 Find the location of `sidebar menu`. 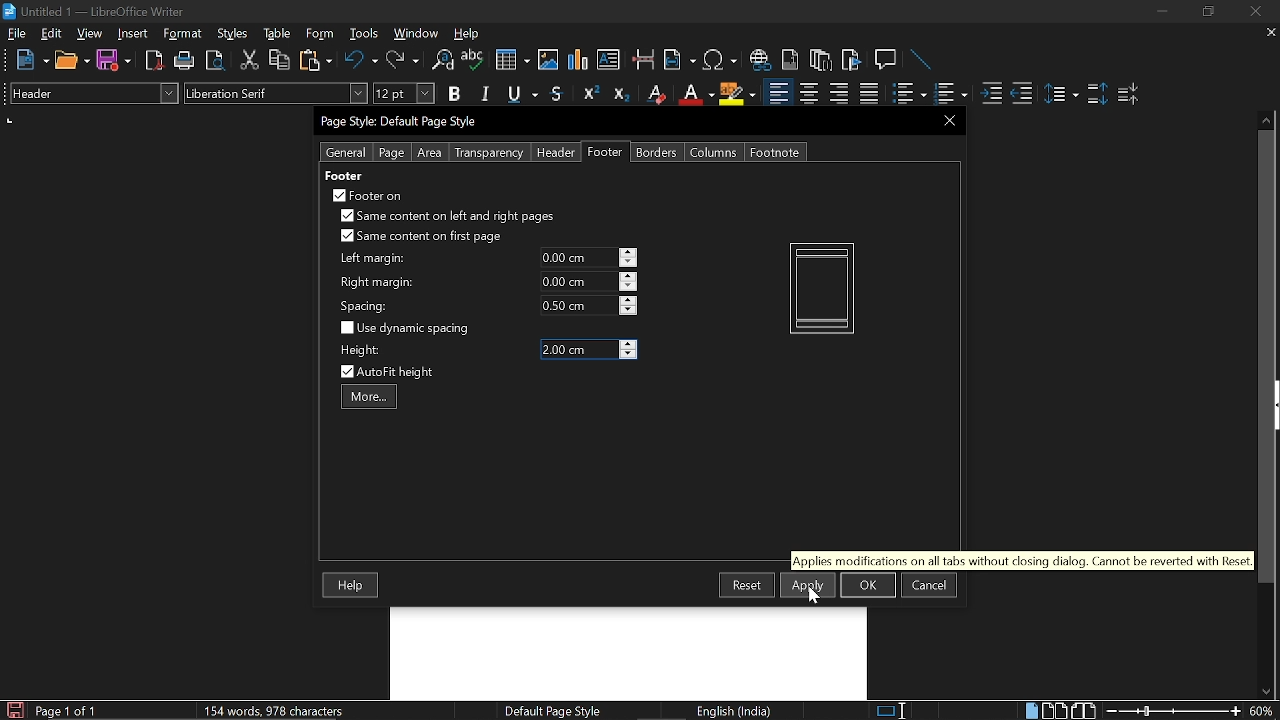

sidebar menu is located at coordinates (1276, 405).